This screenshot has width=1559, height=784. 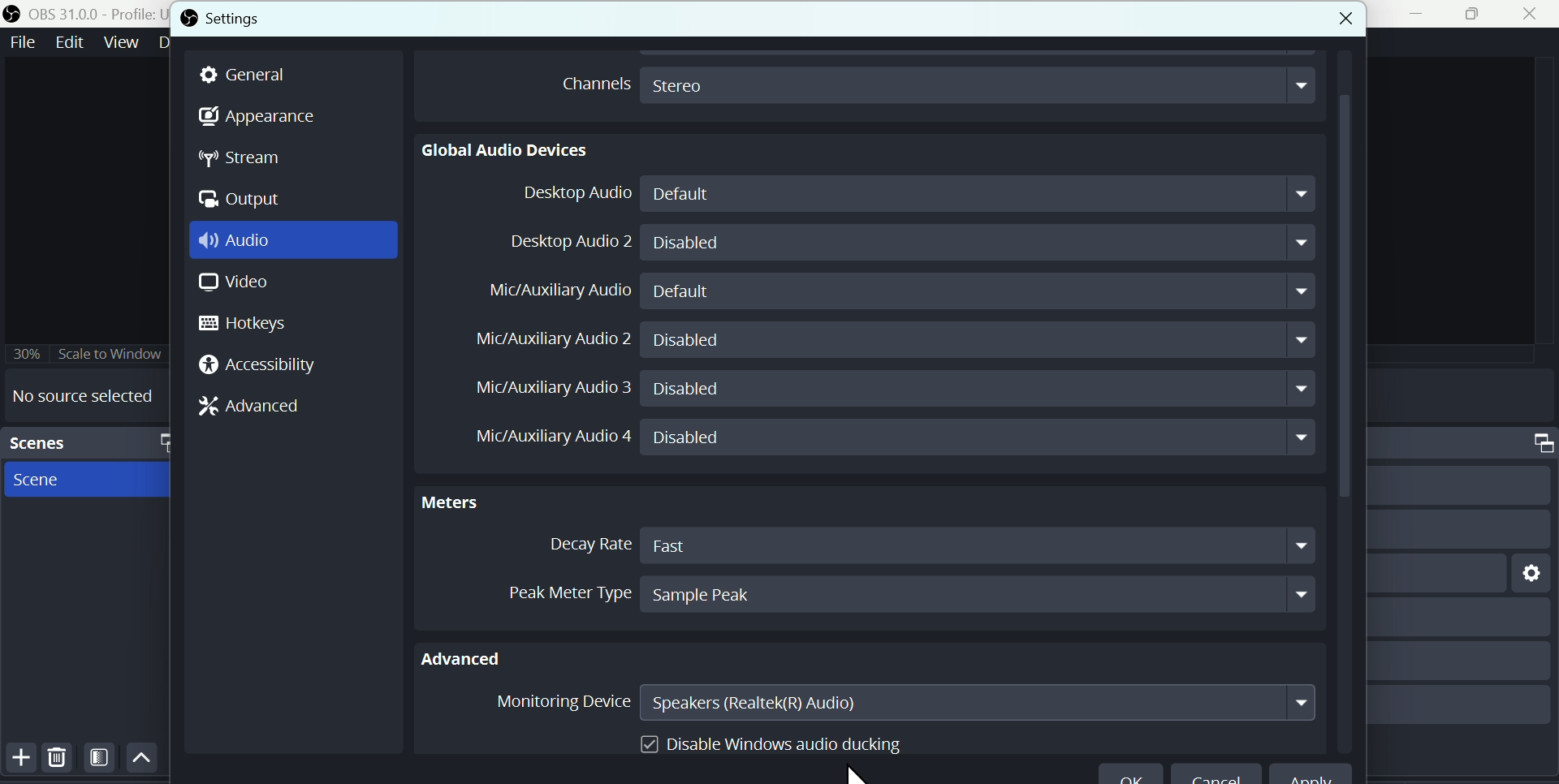 I want to click on Decay Rate, so click(x=584, y=545).